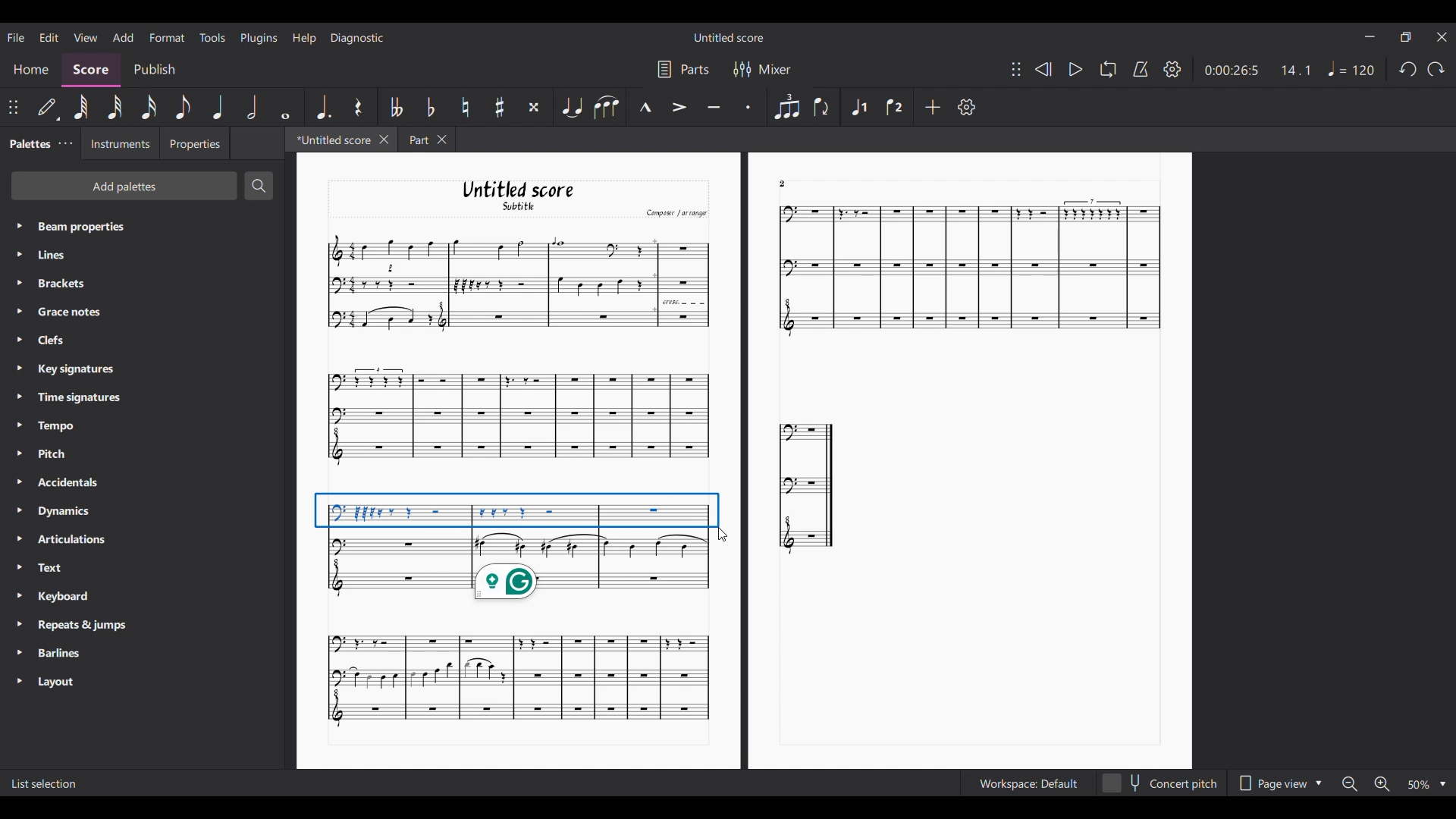  Describe the element at coordinates (91, 71) in the screenshot. I see `Score ` at that location.